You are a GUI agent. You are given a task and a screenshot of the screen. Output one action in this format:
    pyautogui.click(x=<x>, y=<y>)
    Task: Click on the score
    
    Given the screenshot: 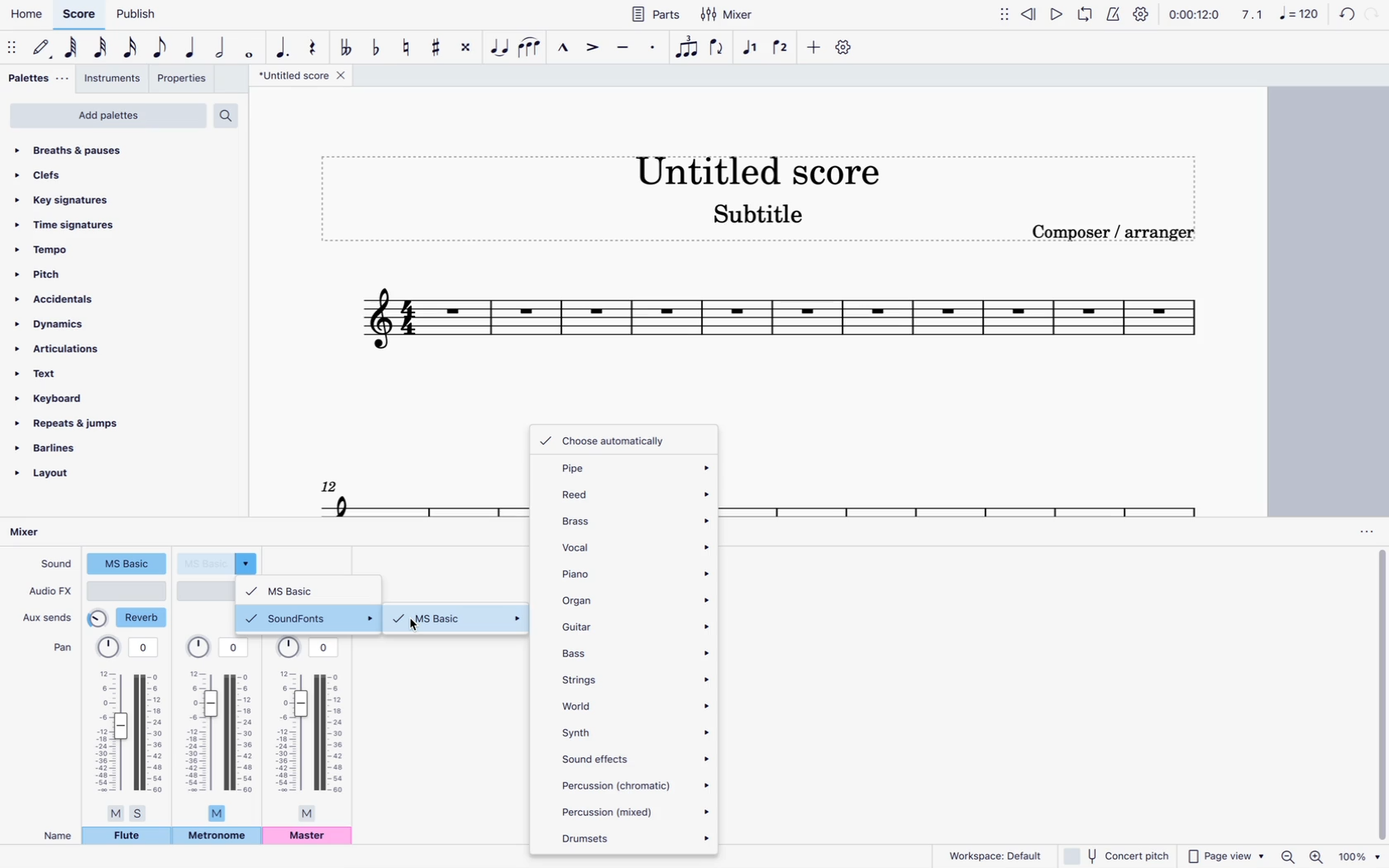 What is the action you would take?
    pyautogui.click(x=391, y=494)
    